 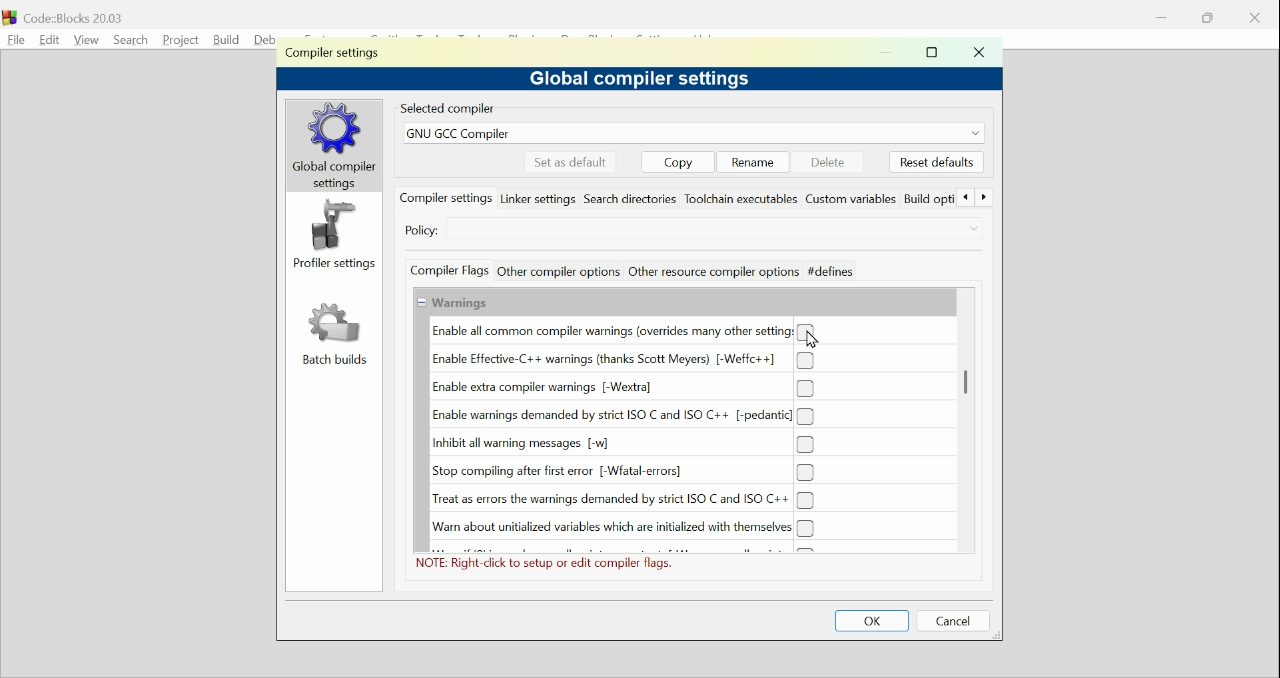 I want to click on Collapse/Expand Warnings, so click(x=453, y=303).